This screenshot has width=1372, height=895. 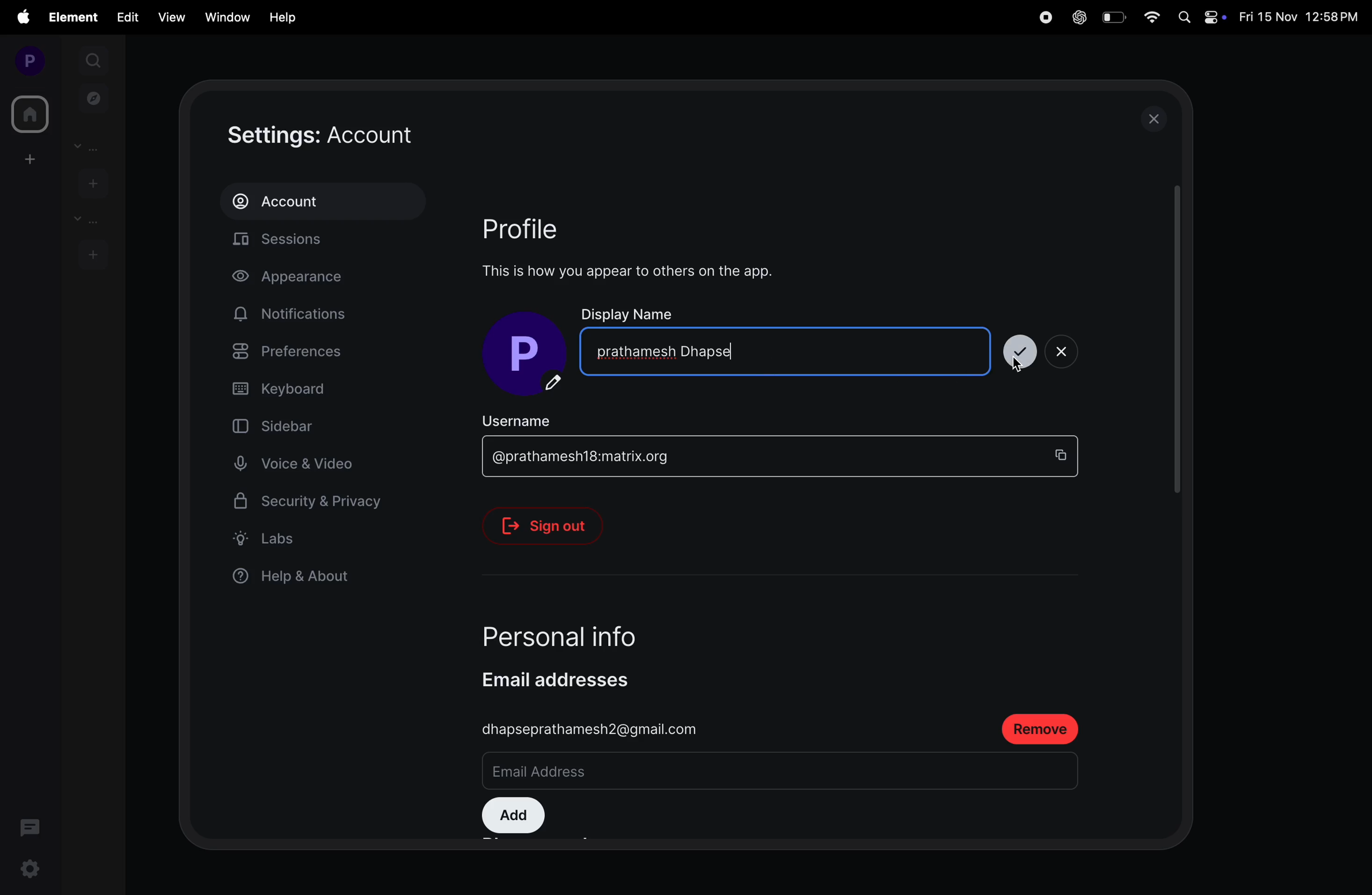 I want to click on account, so click(x=322, y=201).